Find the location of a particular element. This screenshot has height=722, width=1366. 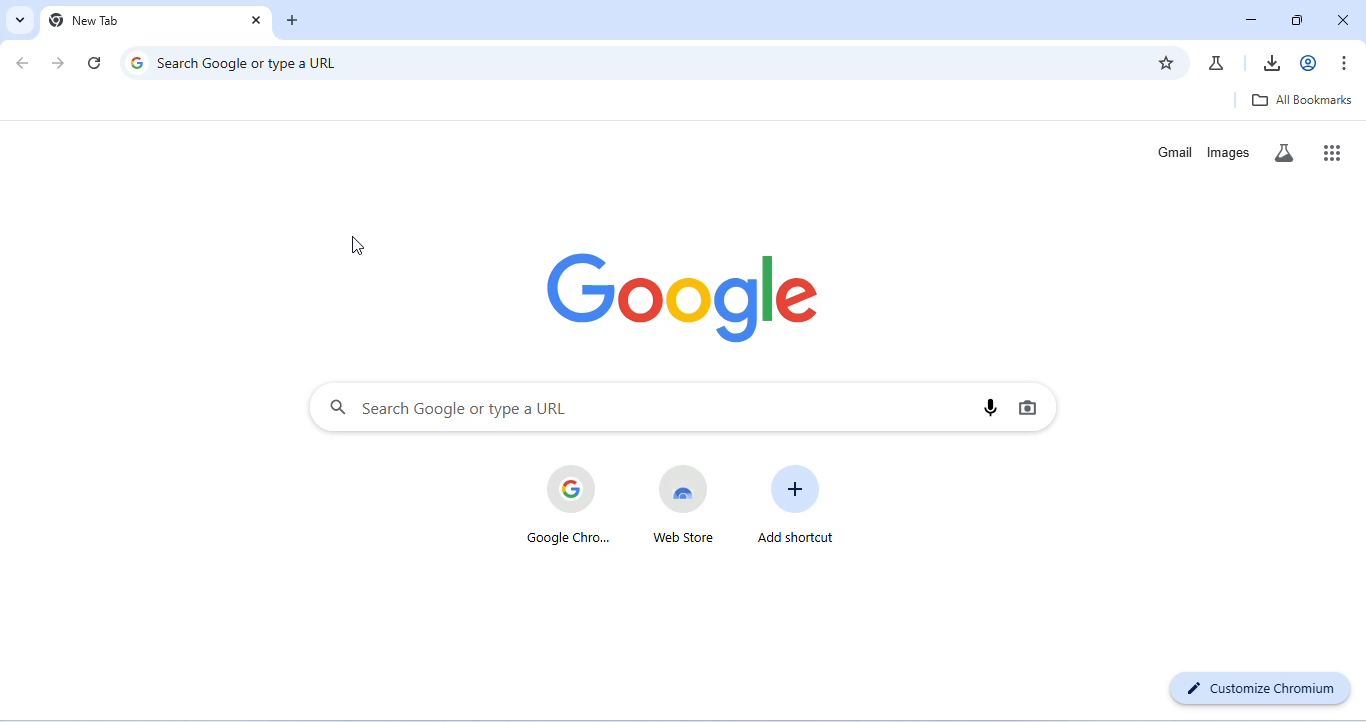

google logo is located at coordinates (687, 297).